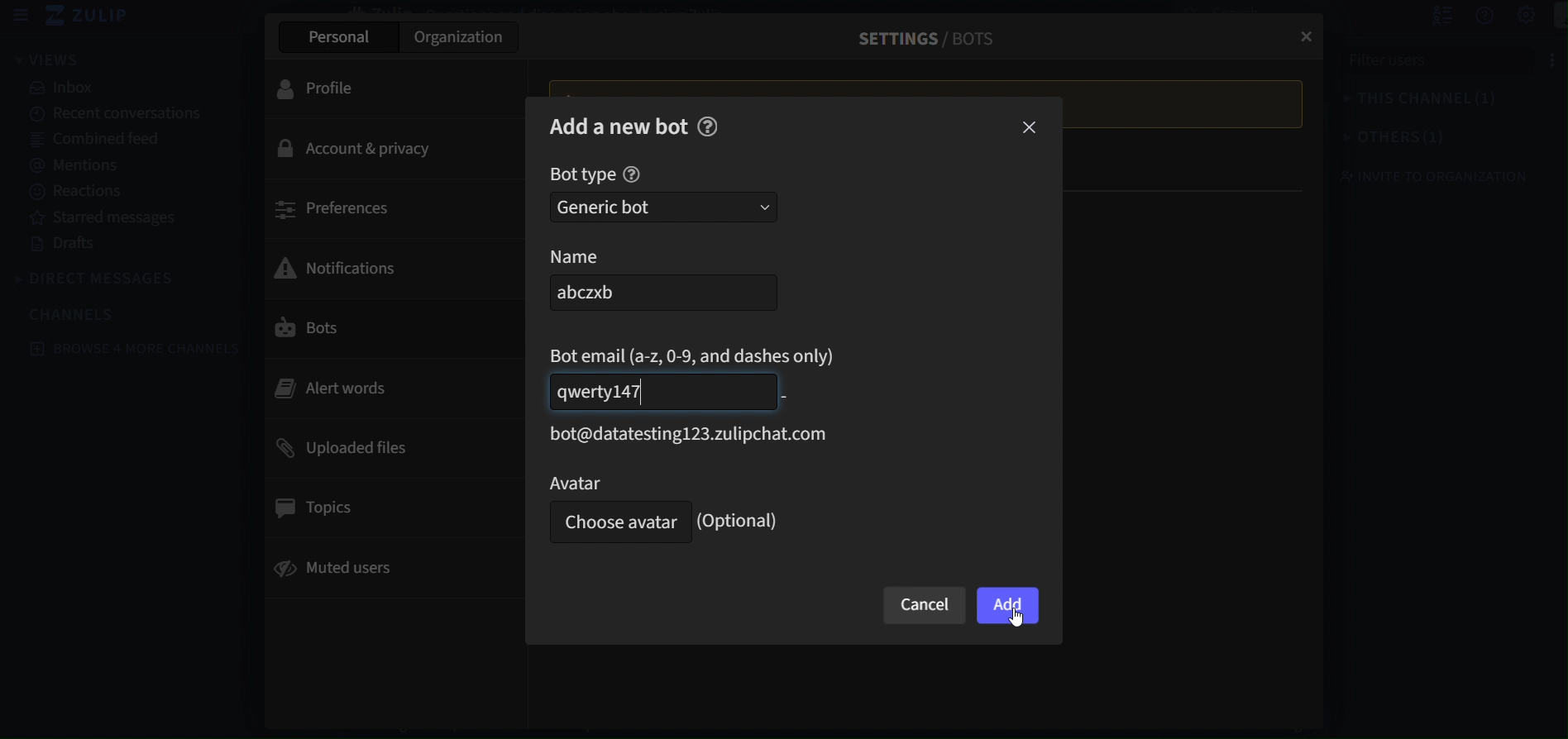 Image resolution: width=1568 pixels, height=739 pixels. Describe the element at coordinates (118, 116) in the screenshot. I see `recent conversations` at that location.